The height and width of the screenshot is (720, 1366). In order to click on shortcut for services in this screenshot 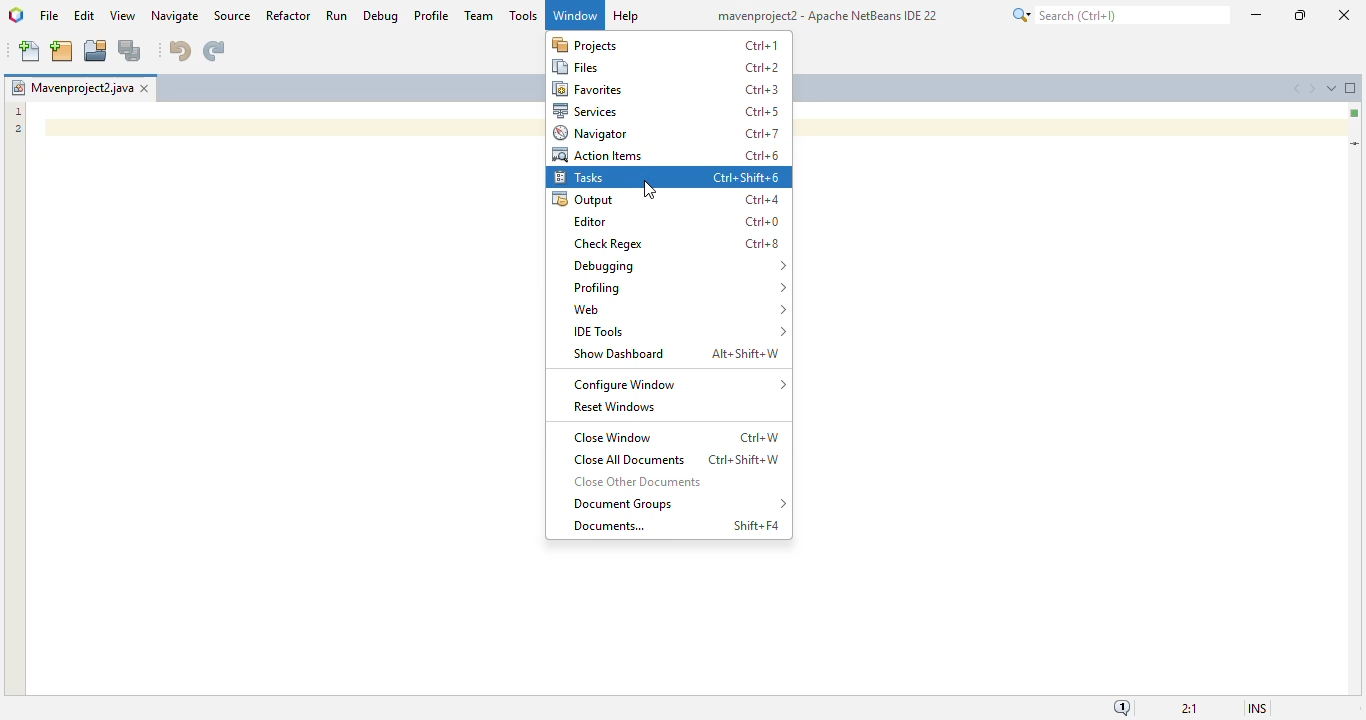, I will do `click(762, 112)`.